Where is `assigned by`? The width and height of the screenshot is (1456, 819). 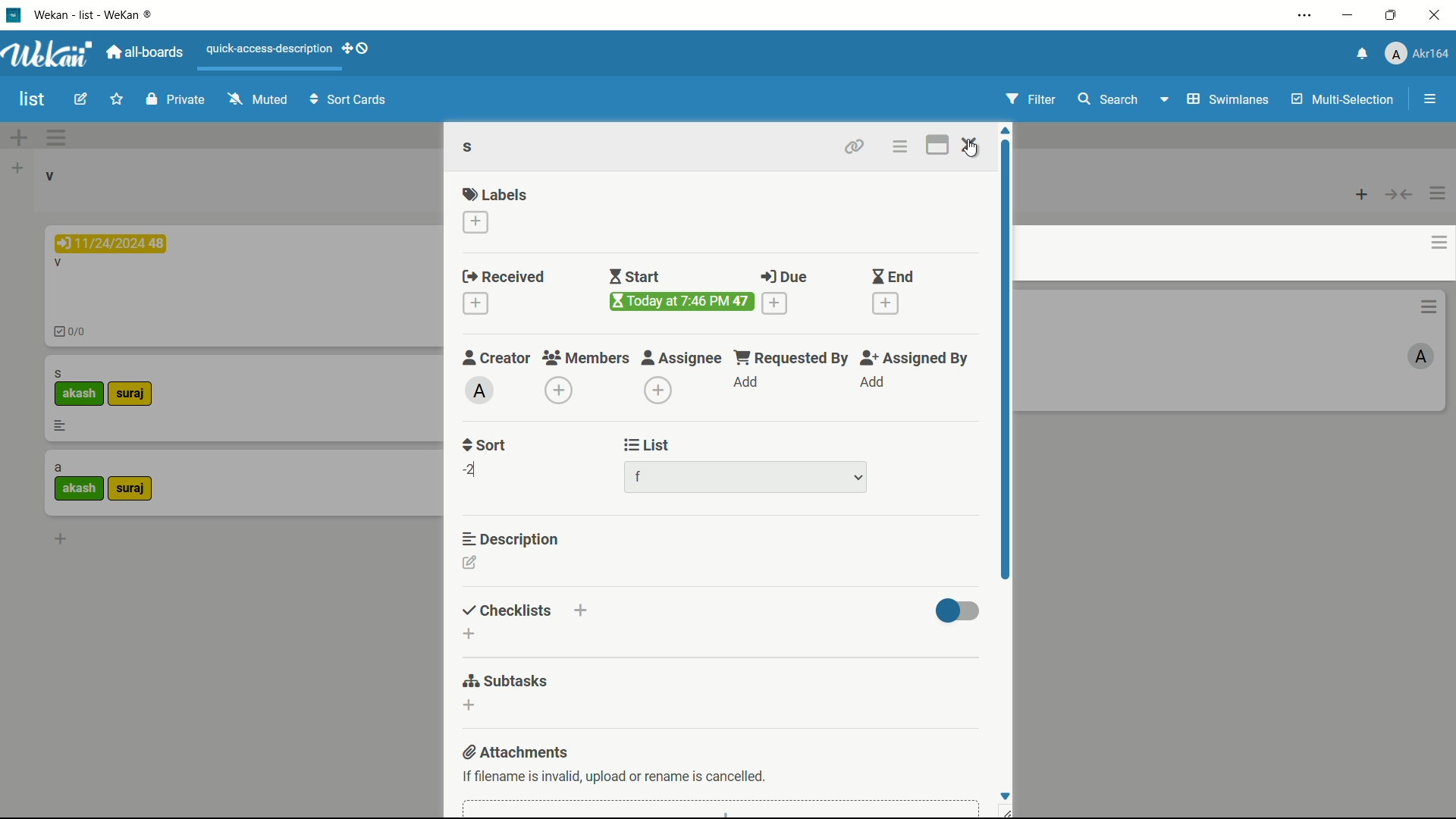
assigned by is located at coordinates (915, 358).